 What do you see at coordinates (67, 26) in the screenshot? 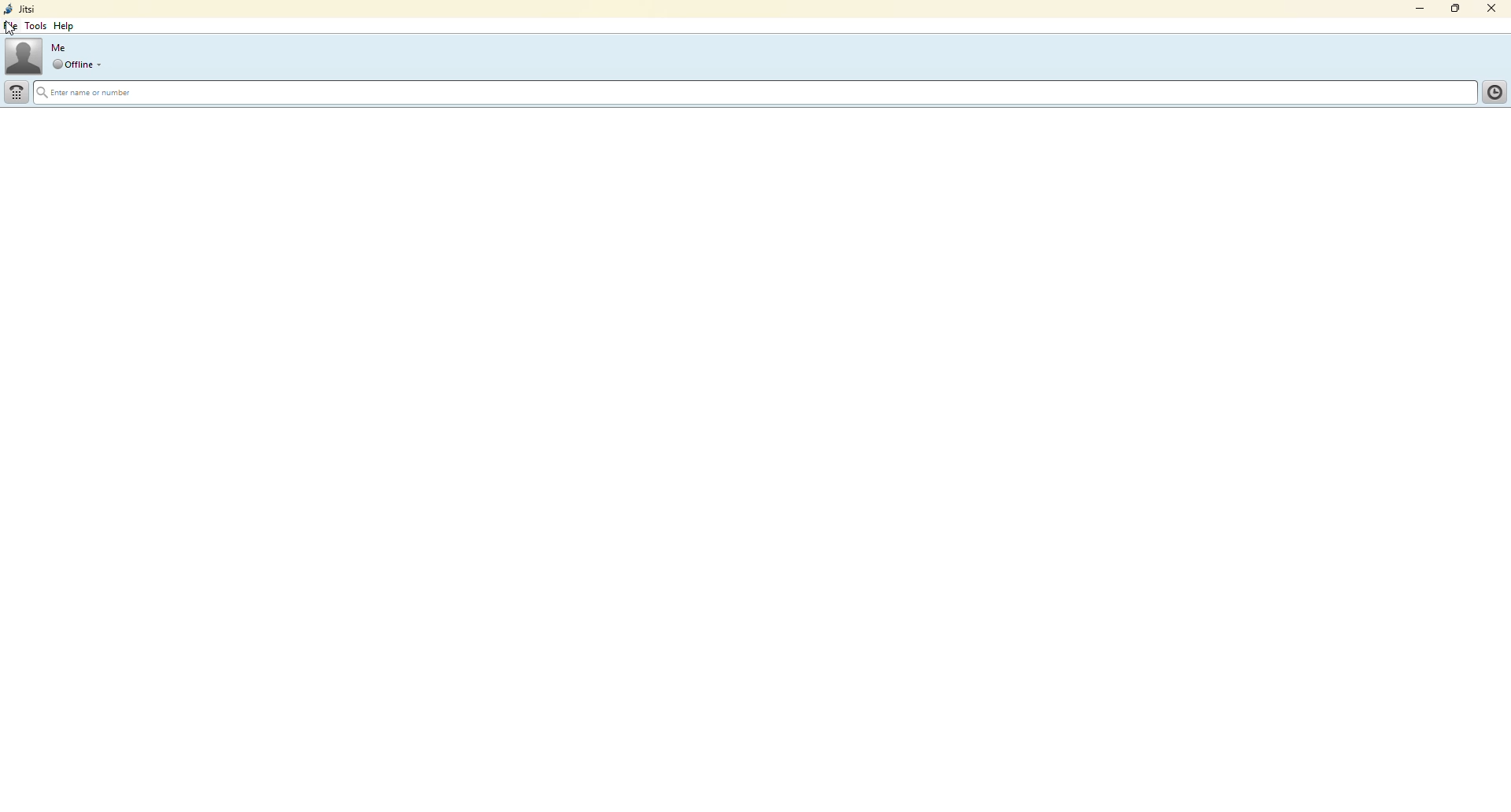
I see `help` at bounding box center [67, 26].